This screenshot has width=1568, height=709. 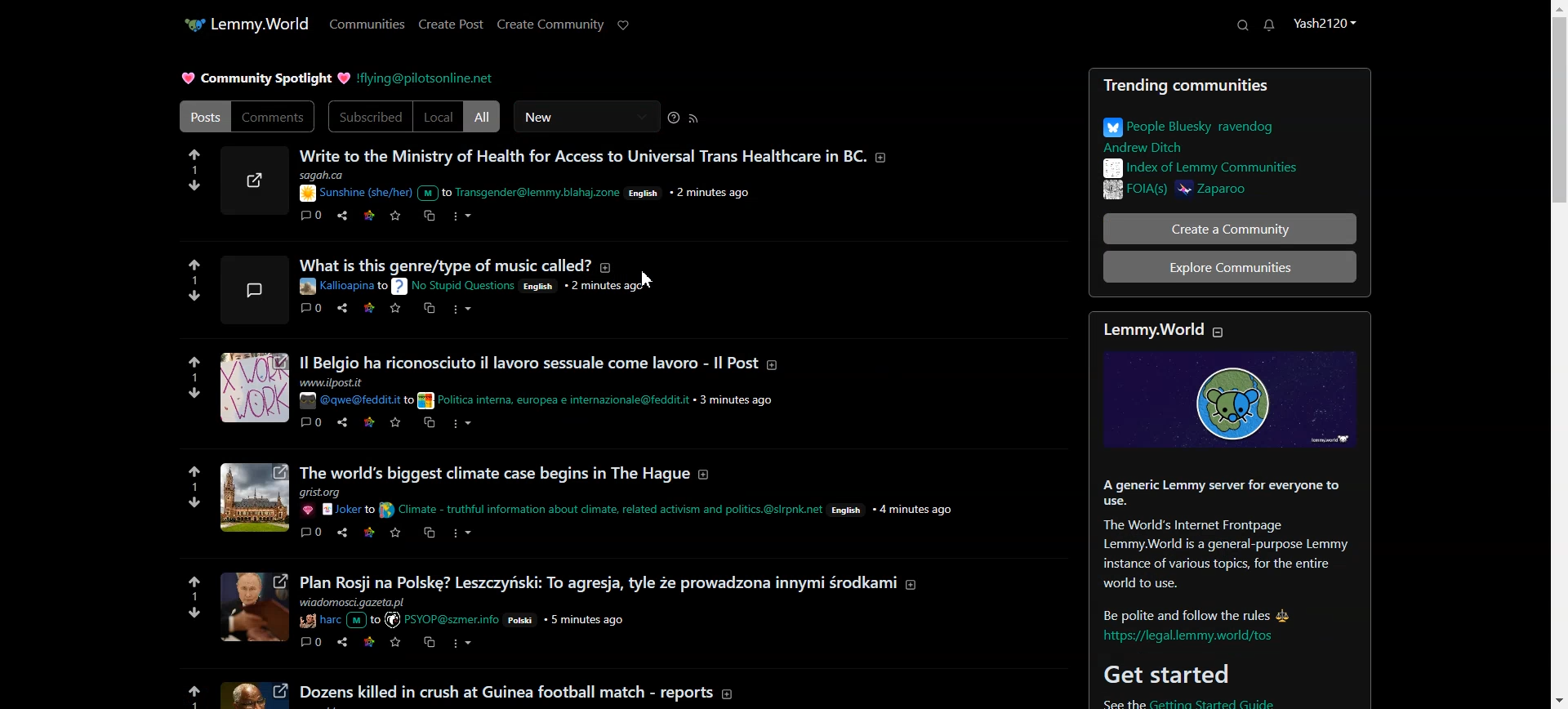 What do you see at coordinates (253, 180) in the screenshot?
I see `Profile Picture` at bounding box center [253, 180].